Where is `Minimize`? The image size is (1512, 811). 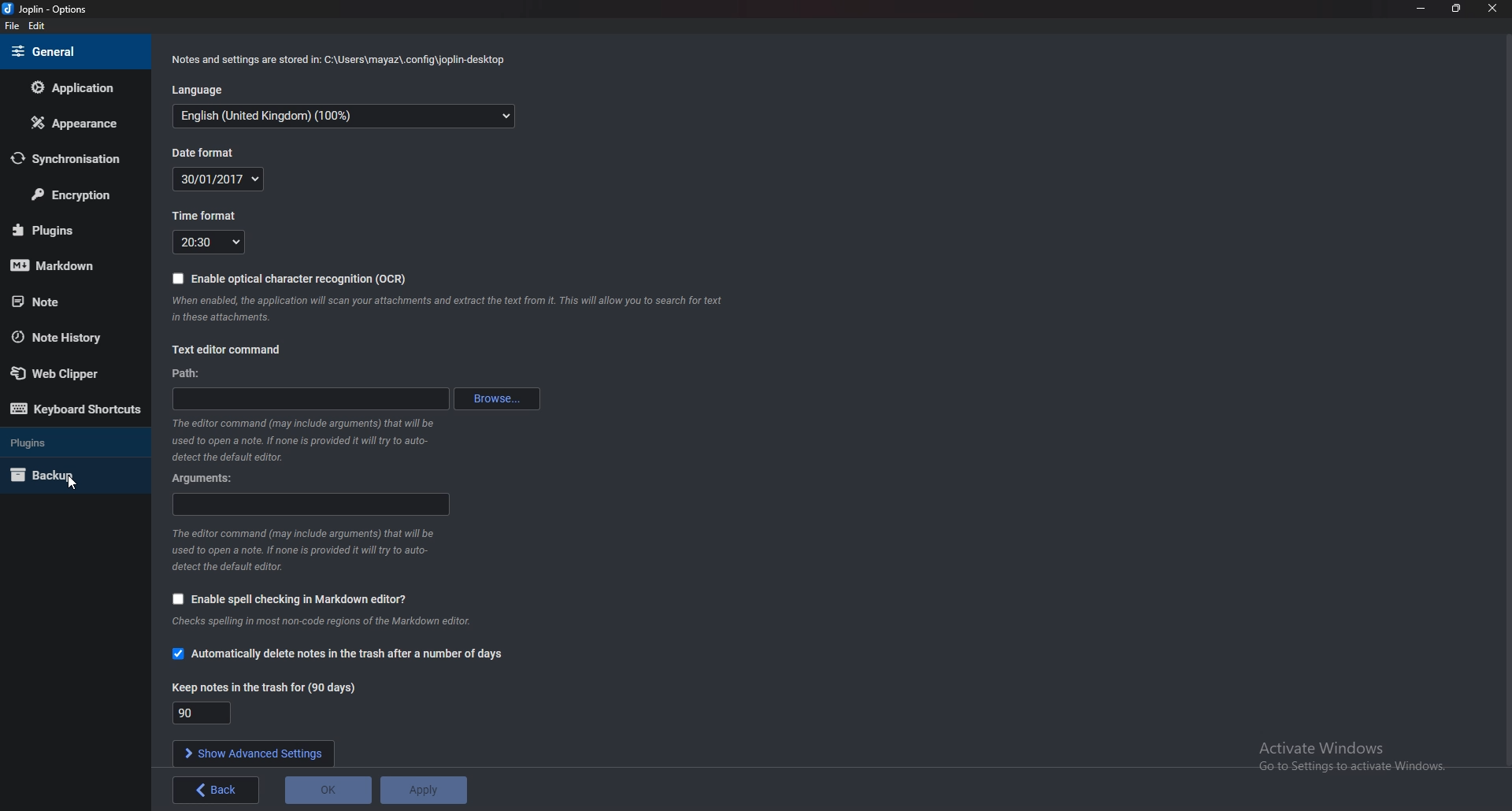
Minimize is located at coordinates (1421, 7).